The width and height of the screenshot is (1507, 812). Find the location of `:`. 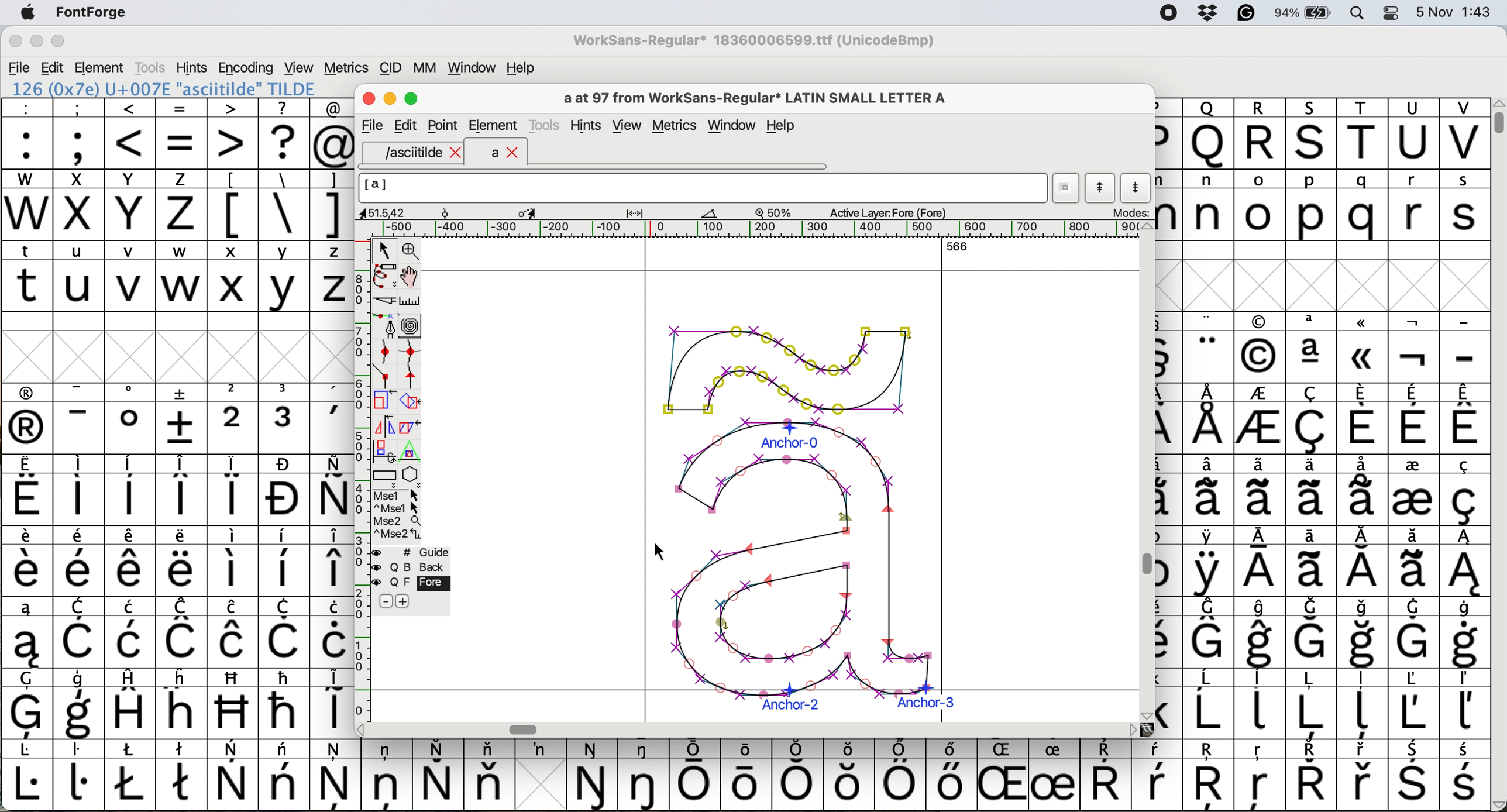

: is located at coordinates (28, 134).